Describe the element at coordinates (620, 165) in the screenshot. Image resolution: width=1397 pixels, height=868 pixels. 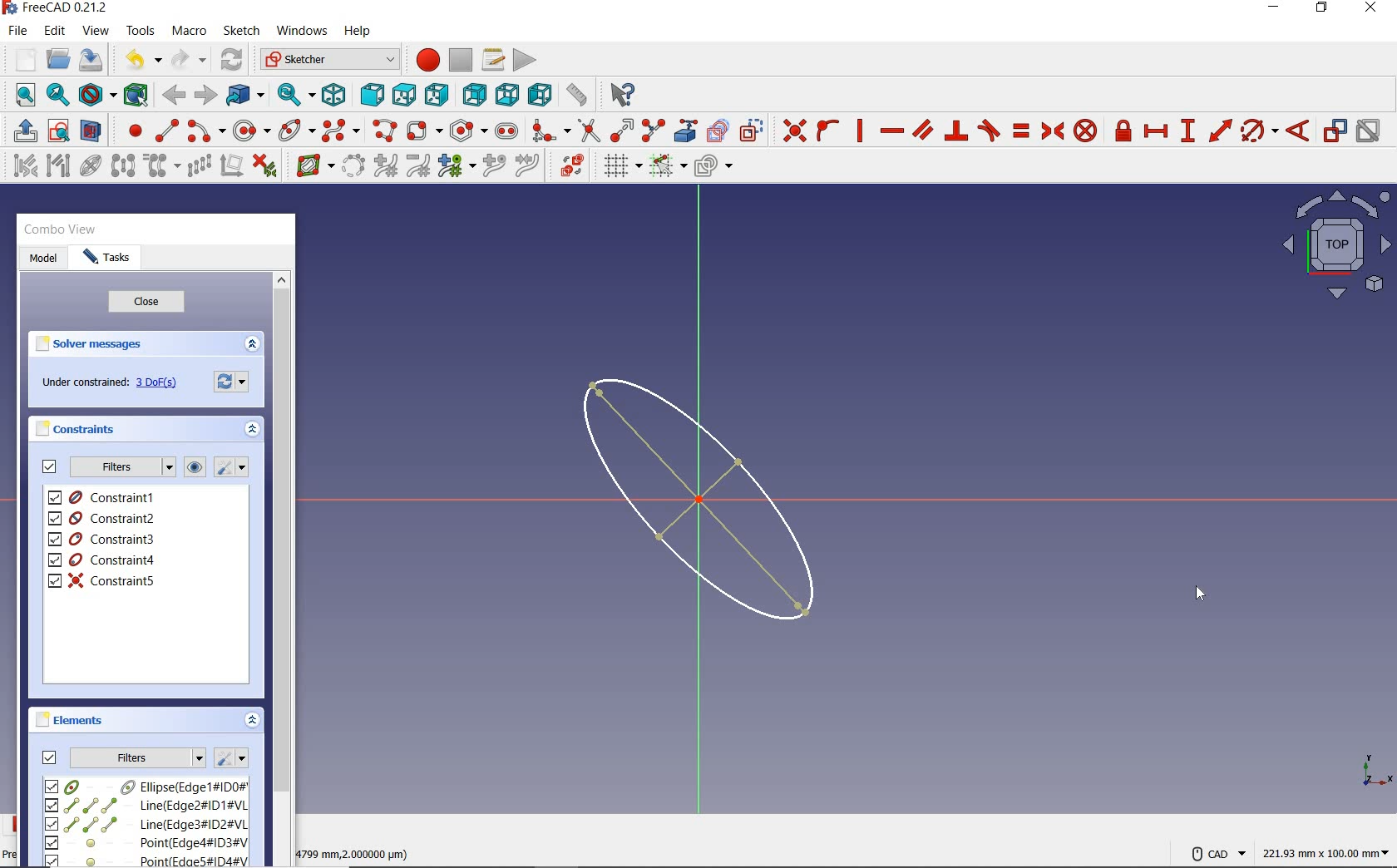
I see `toggle grid` at that location.